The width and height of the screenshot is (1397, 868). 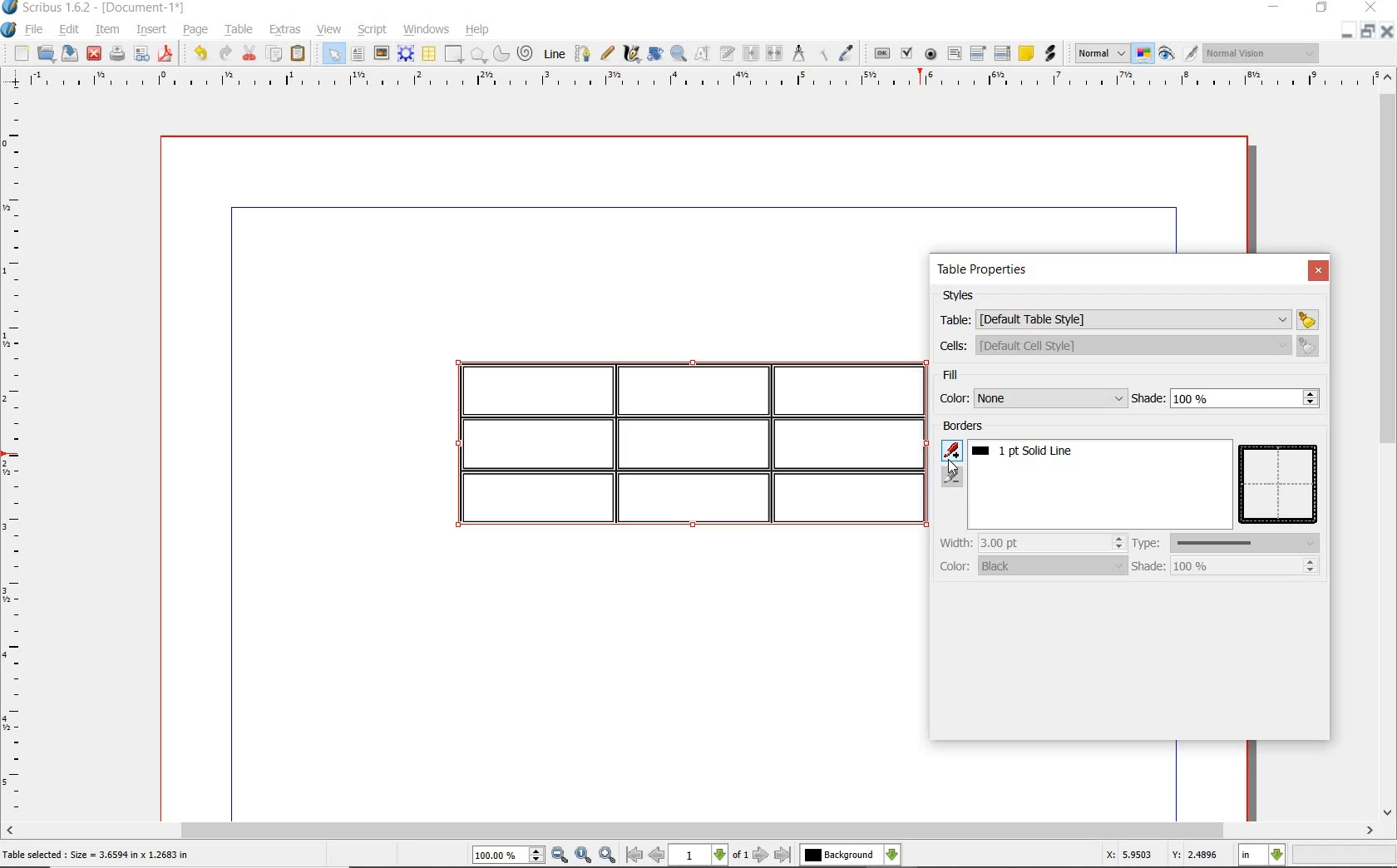 I want to click on table properties, so click(x=984, y=272).